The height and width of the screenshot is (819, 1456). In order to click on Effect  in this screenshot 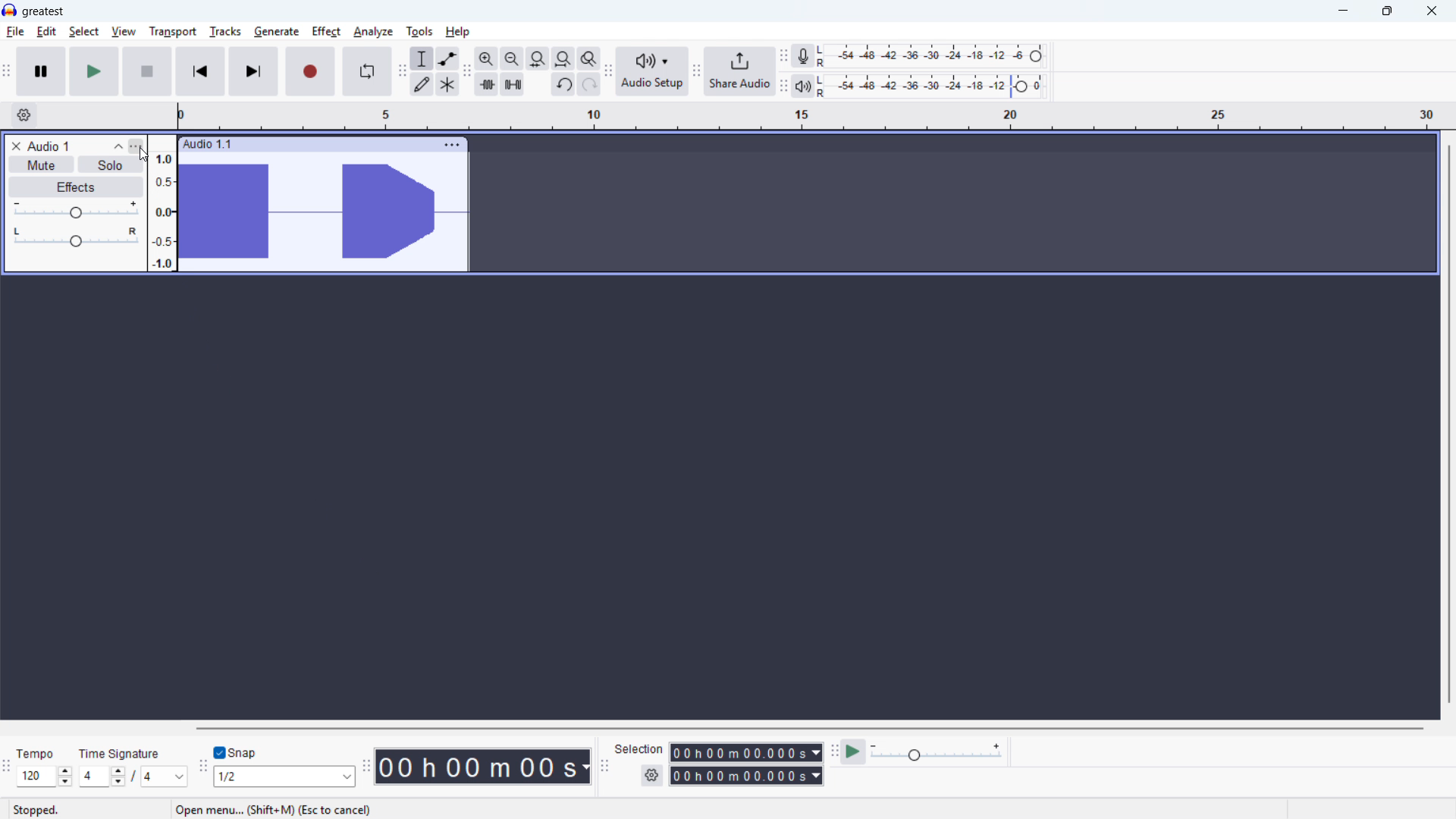, I will do `click(326, 32)`.